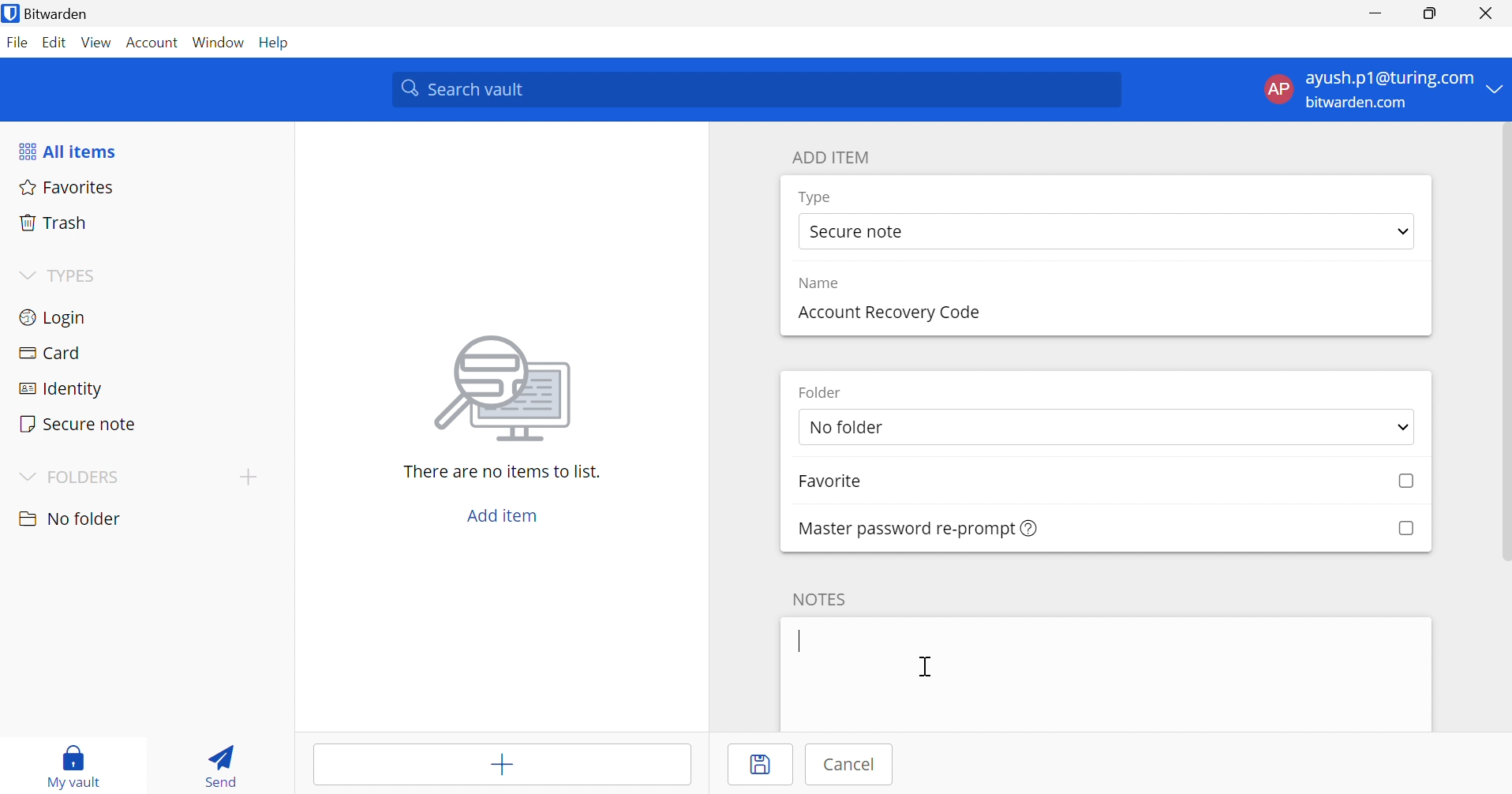 The image size is (1512, 794). What do you see at coordinates (68, 14) in the screenshot?
I see `Bitwarden` at bounding box center [68, 14].